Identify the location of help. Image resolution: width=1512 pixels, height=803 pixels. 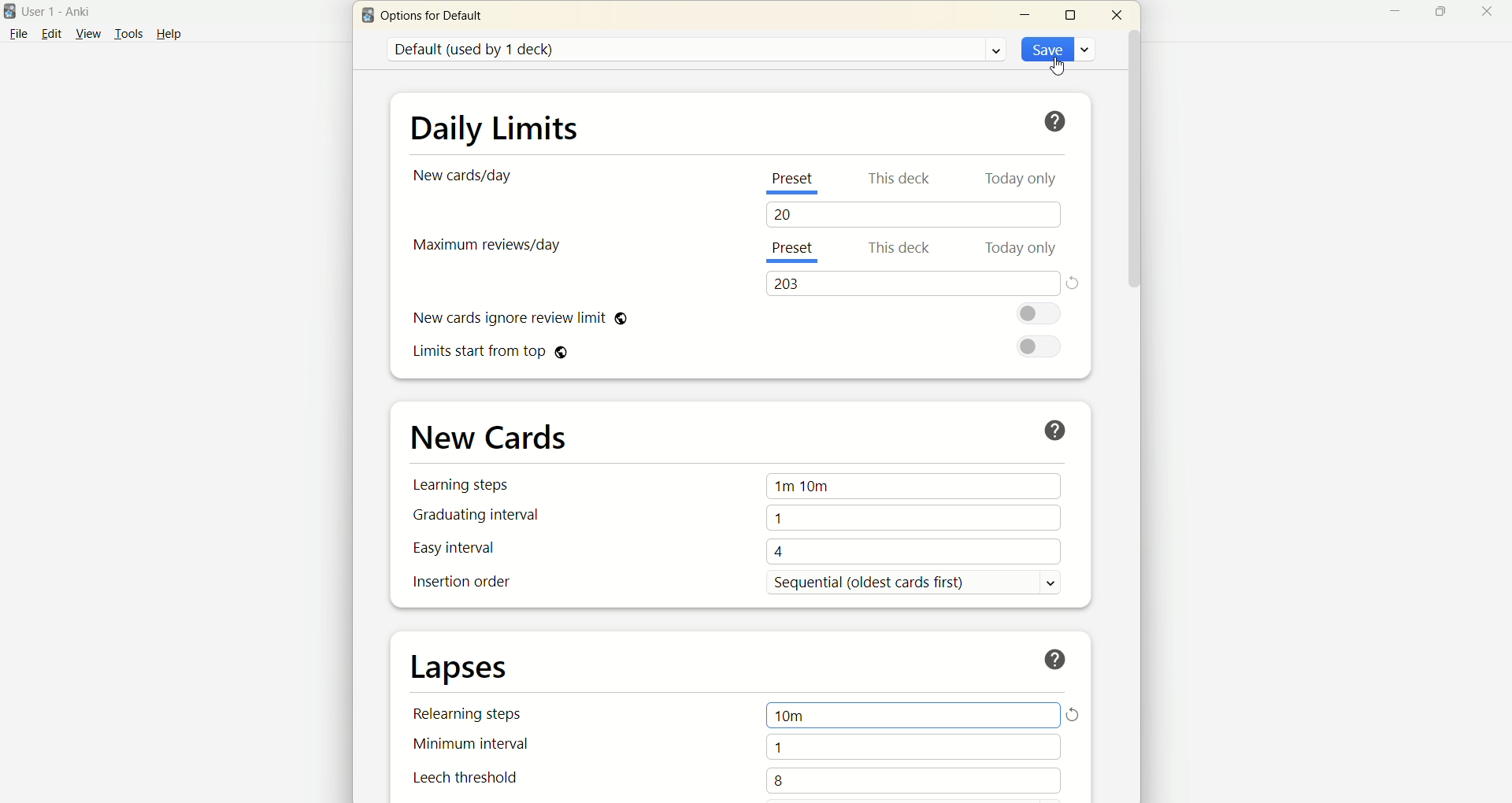
(1058, 427).